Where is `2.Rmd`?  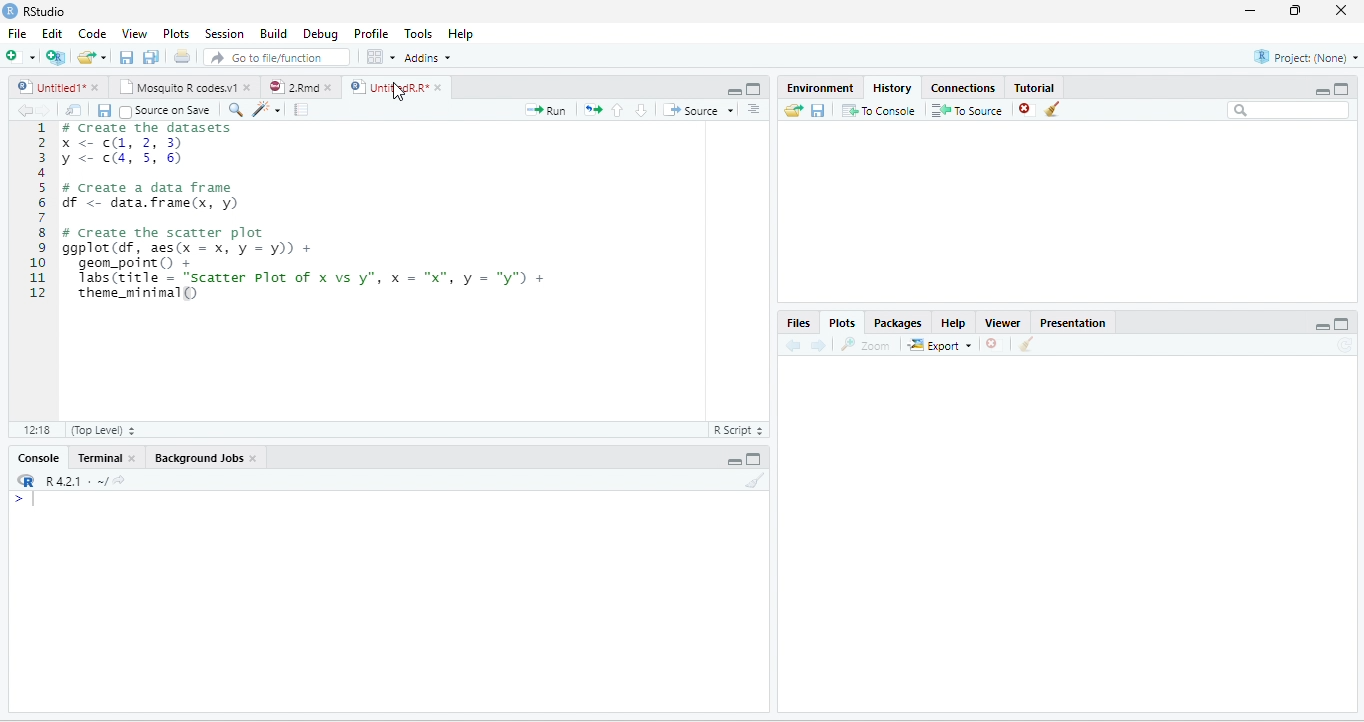 2.Rmd is located at coordinates (292, 87).